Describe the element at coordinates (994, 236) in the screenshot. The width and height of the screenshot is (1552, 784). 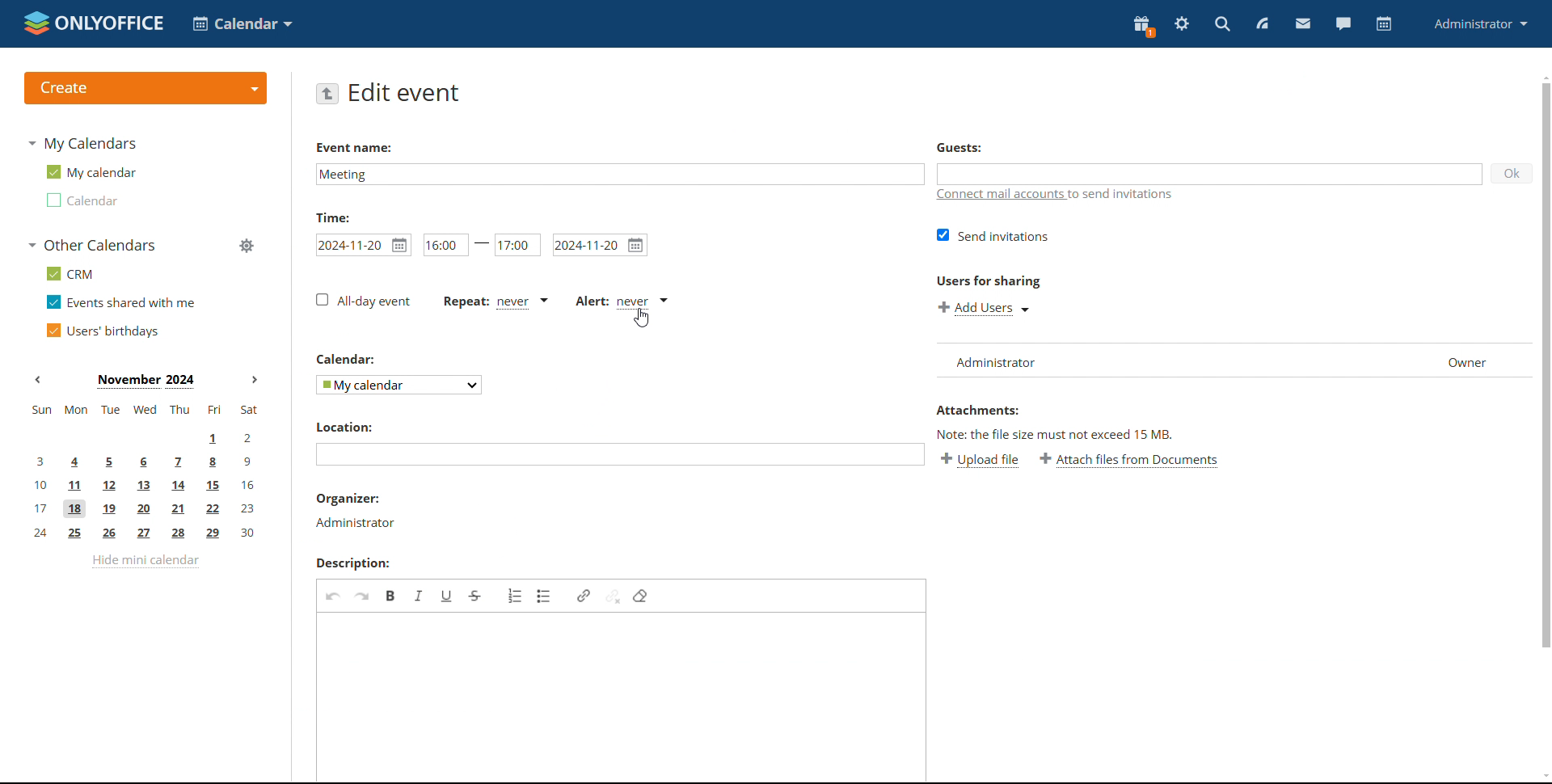
I see `send invitations` at that location.